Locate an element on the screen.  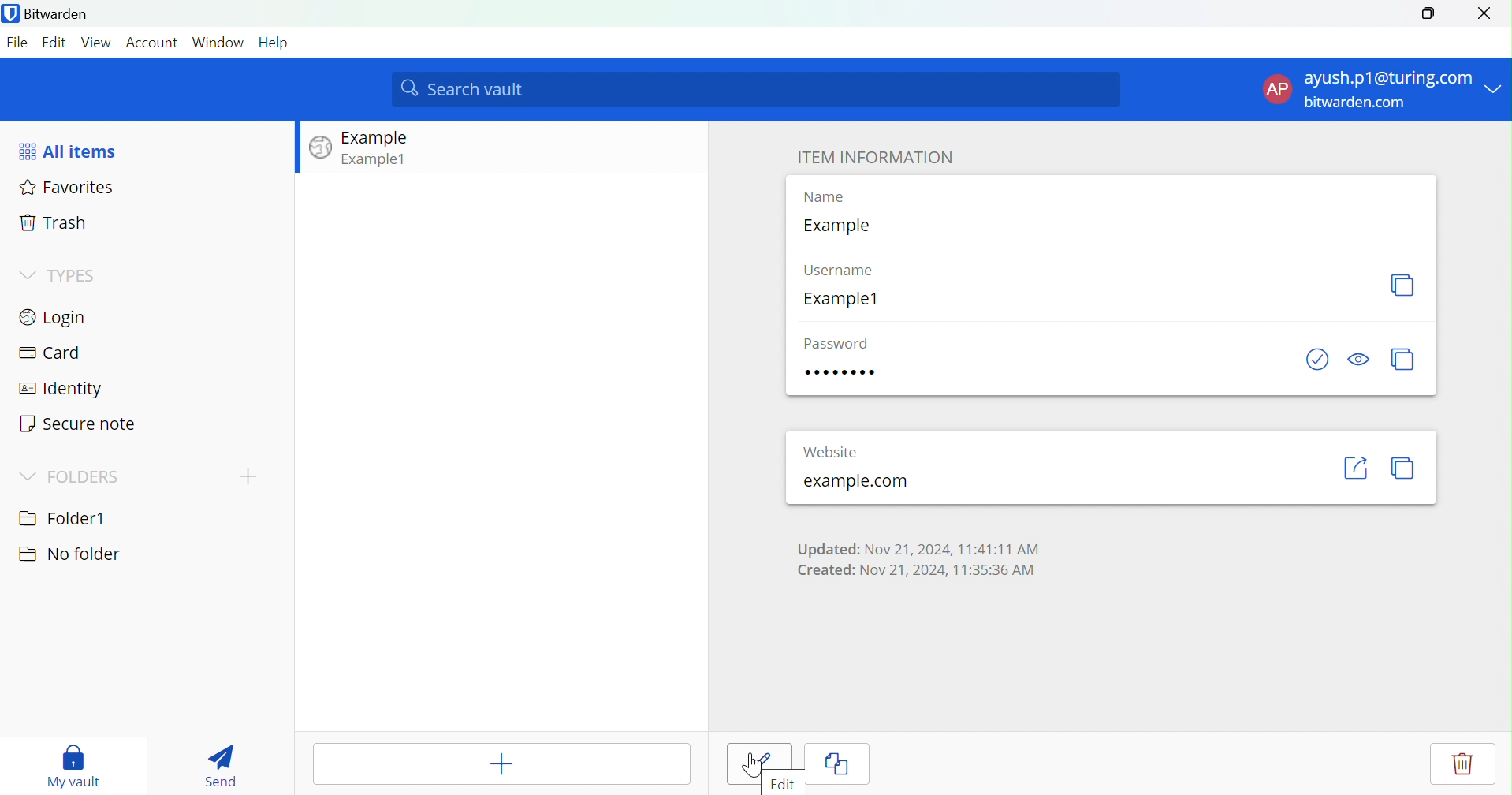
bitwarden.com is located at coordinates (1359, 103).